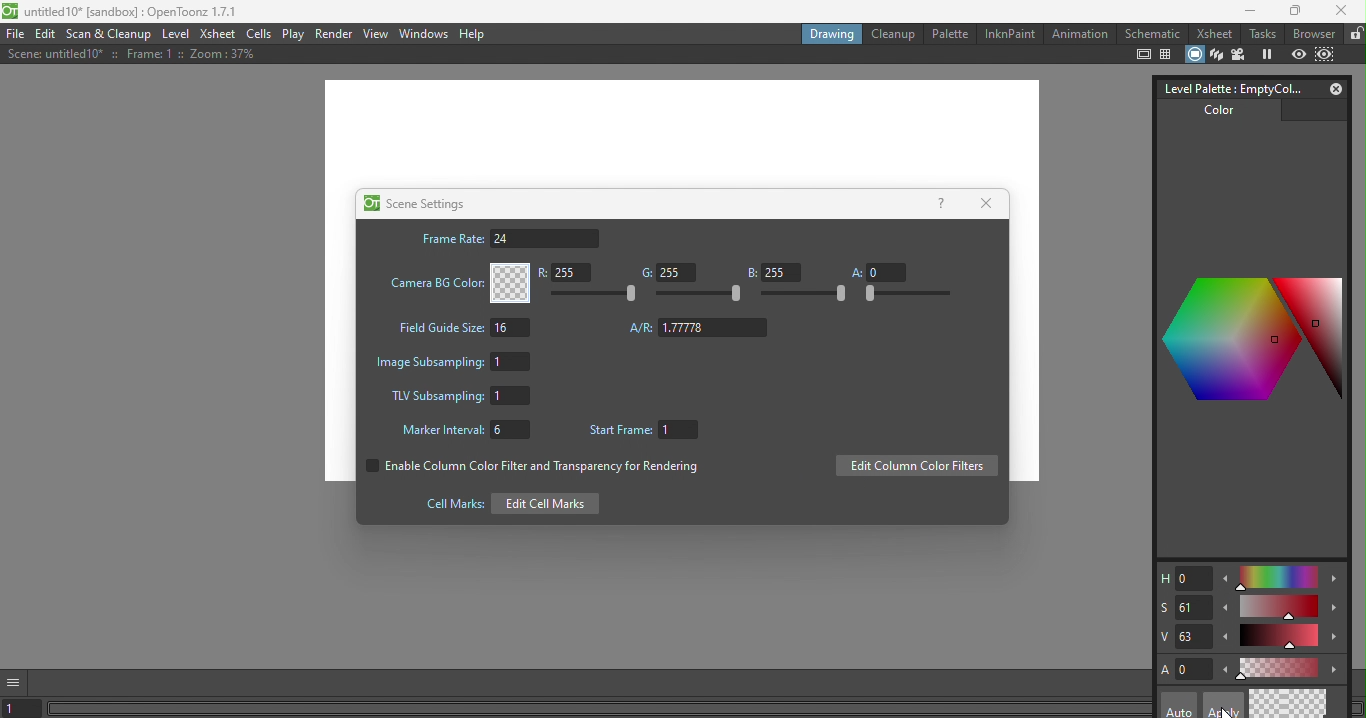  Describe the element at coordinates (414, 203) in the screenshot. I see `Scene settings` at that location.